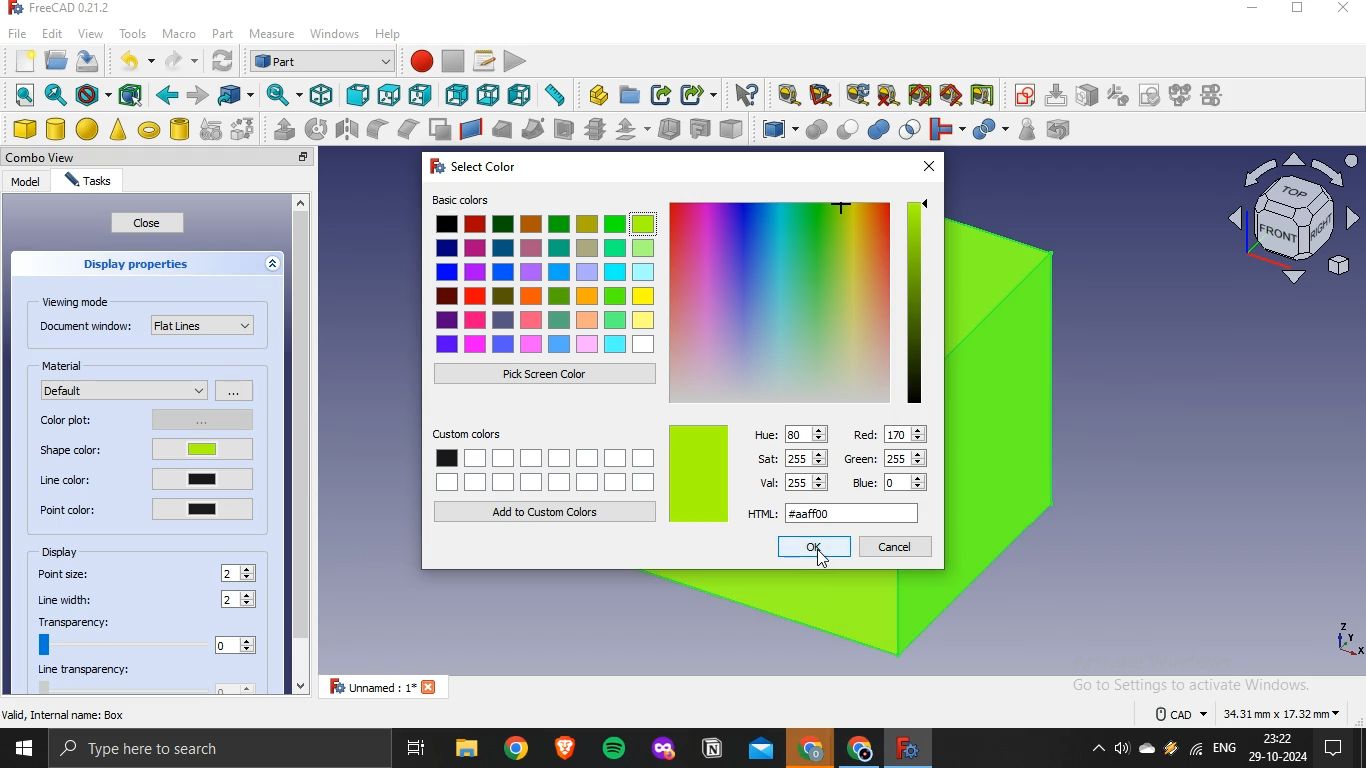  Describe the element at coordinates (810, 750) in the screenshot. I see `google chrome` at that location.